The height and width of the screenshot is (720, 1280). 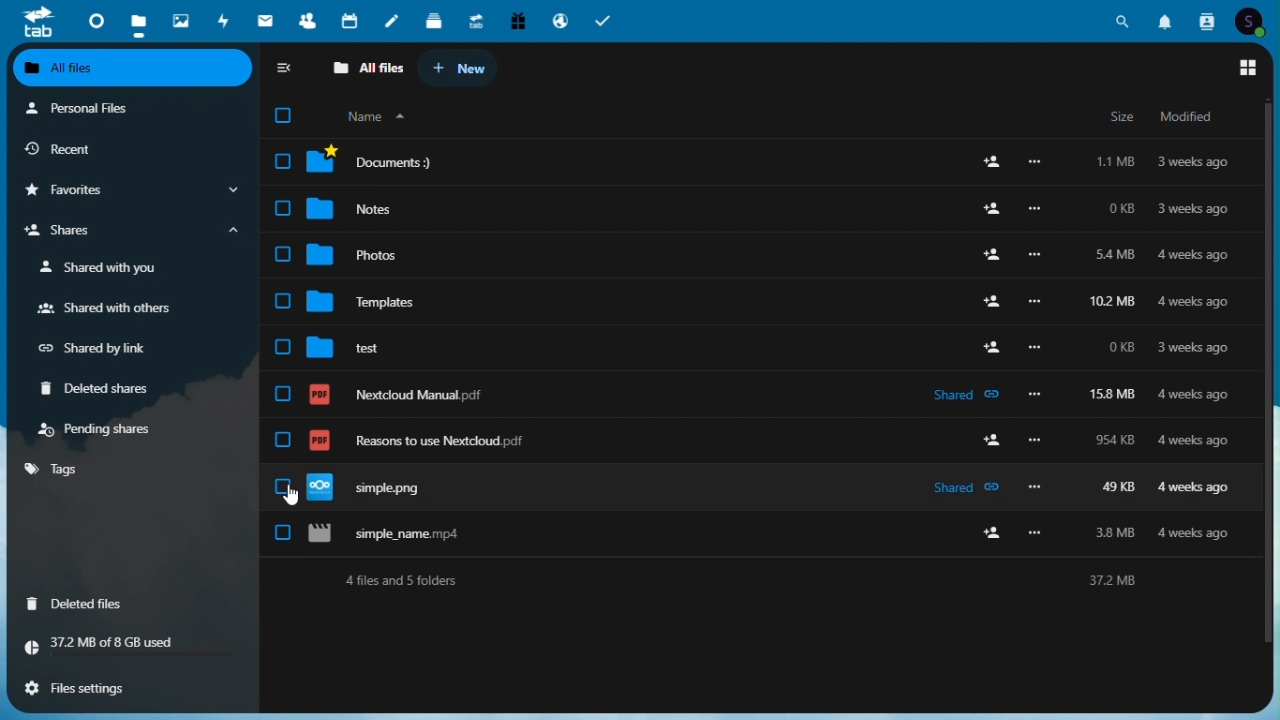 I want to click on files, so click(x=762, y=162).